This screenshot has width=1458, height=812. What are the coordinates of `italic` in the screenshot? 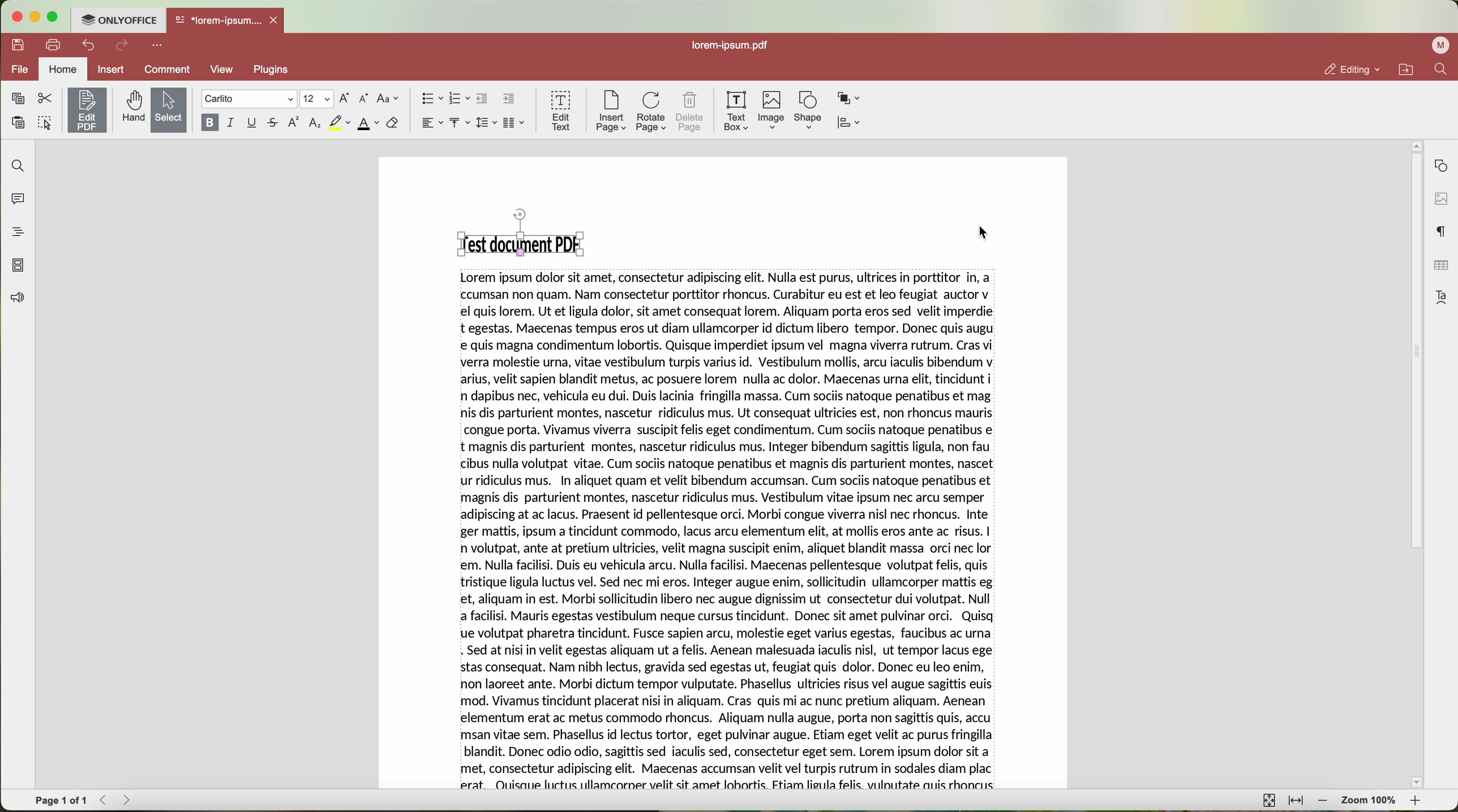 It's located at (232, 123).